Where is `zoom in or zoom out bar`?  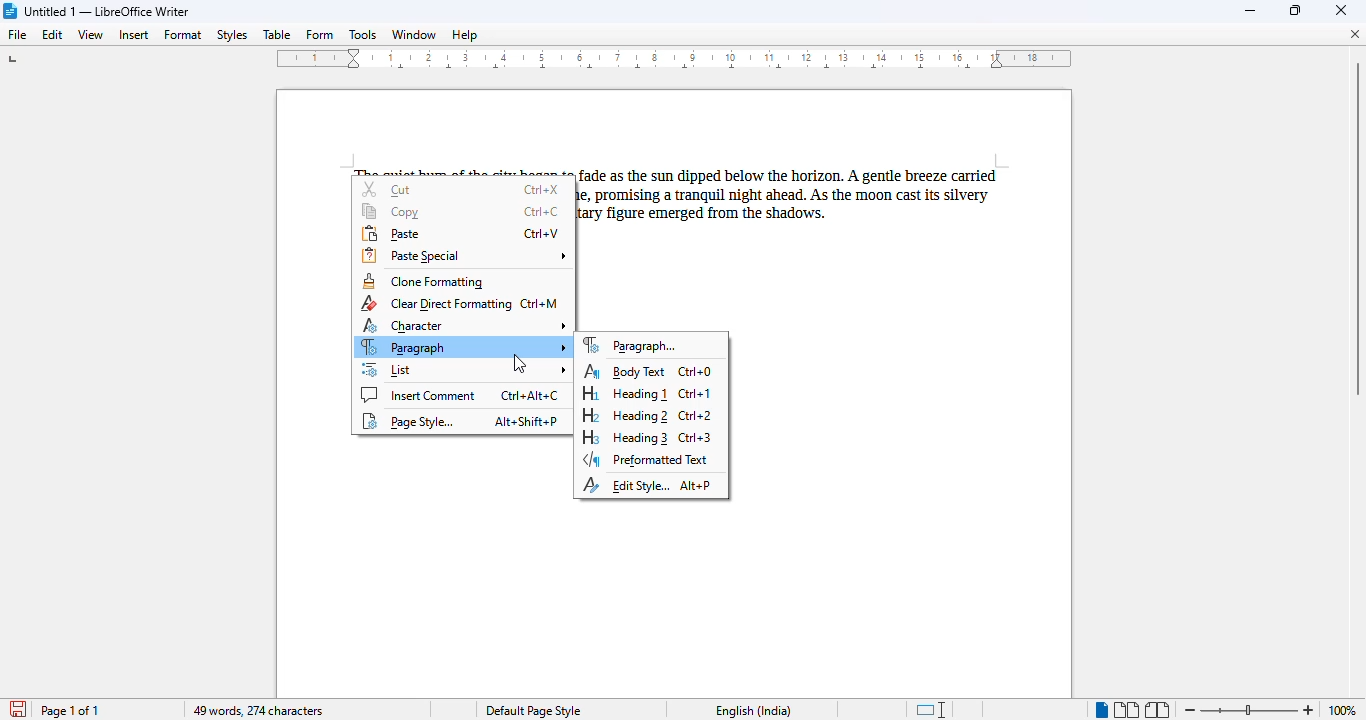
zoom in or zoom out bar is located at coordinates (1248, 711).